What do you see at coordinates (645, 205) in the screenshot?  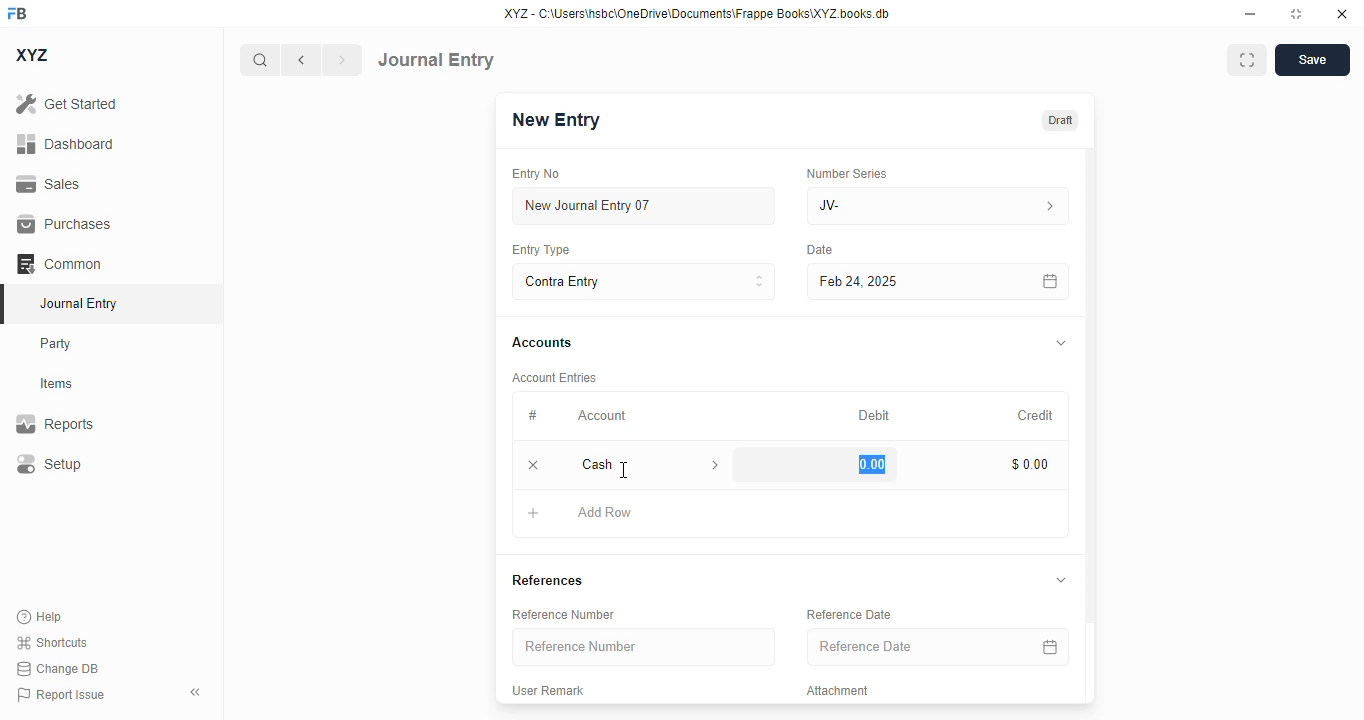 I see `new journal entry 07` at bounding box center [645, 205].